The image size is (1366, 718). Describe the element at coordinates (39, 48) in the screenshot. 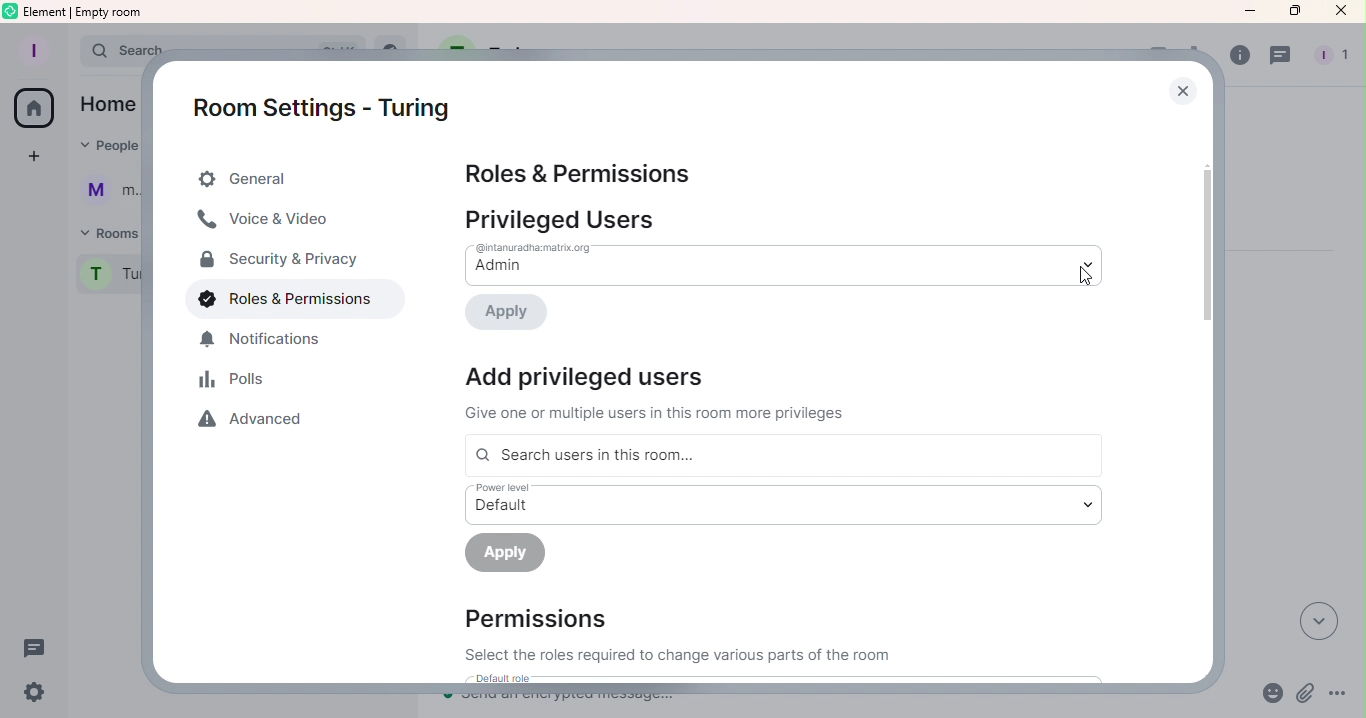

I see `Account` at that location.